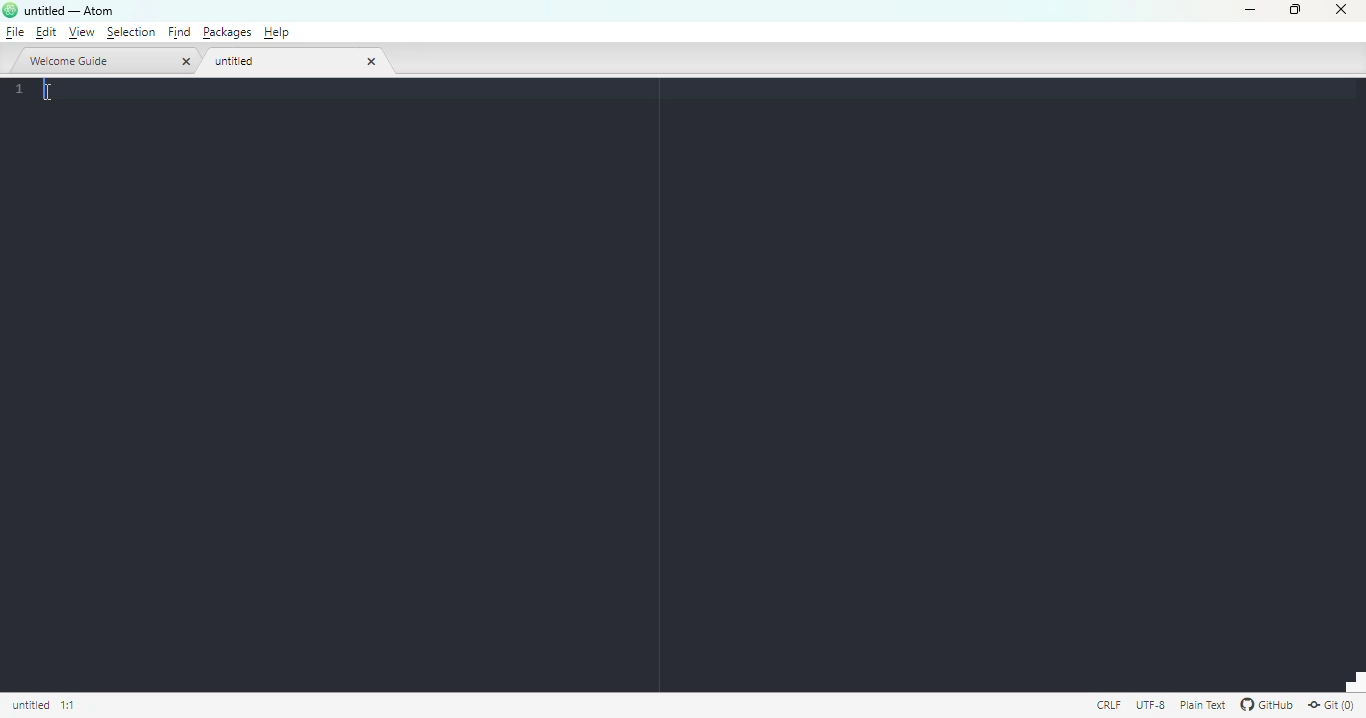  What do you see at coordinates (1201, 705) in the screenshot?
I see `file uses the plain text grammar` at bounding box center [1201, 705].